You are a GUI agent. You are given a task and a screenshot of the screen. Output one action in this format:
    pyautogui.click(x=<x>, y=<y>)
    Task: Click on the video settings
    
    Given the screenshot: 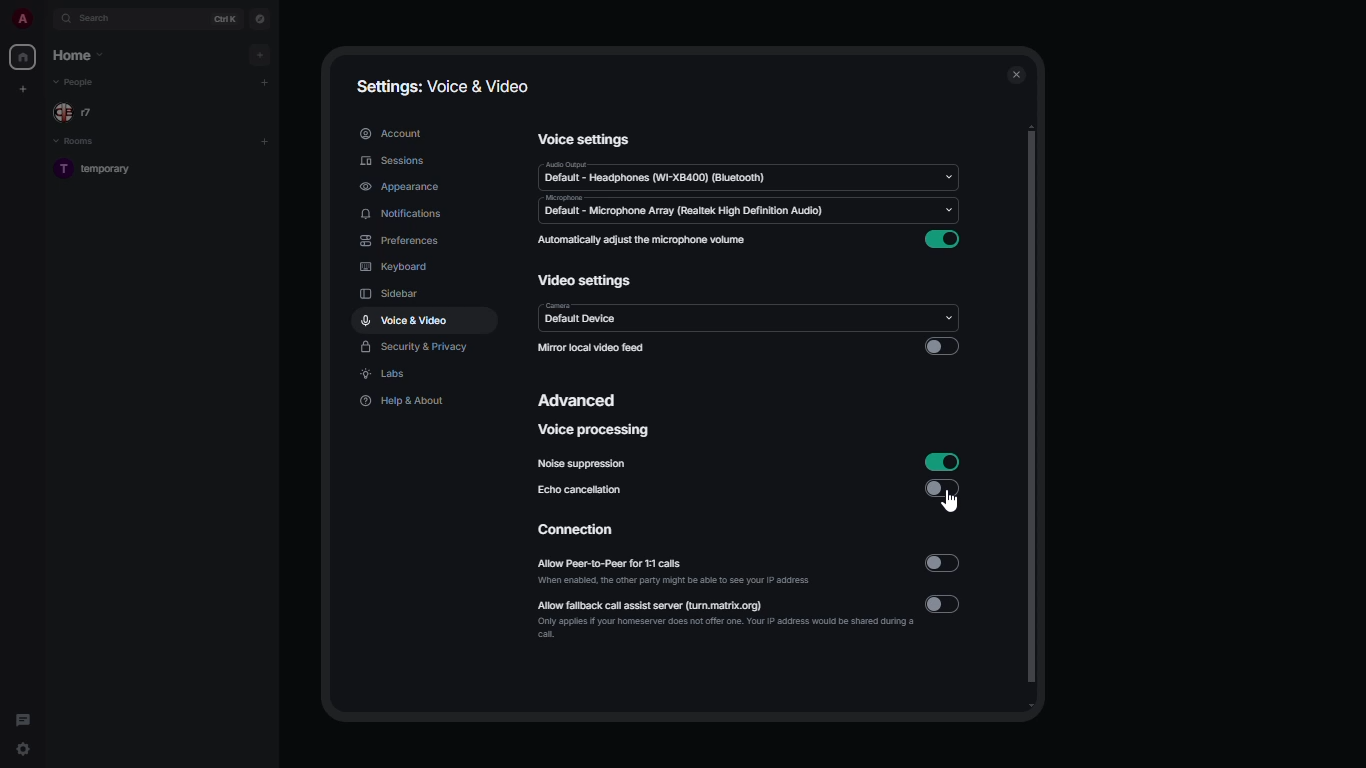 What is the action you would take?
    pyautogui.click(x=585, y=281)
    